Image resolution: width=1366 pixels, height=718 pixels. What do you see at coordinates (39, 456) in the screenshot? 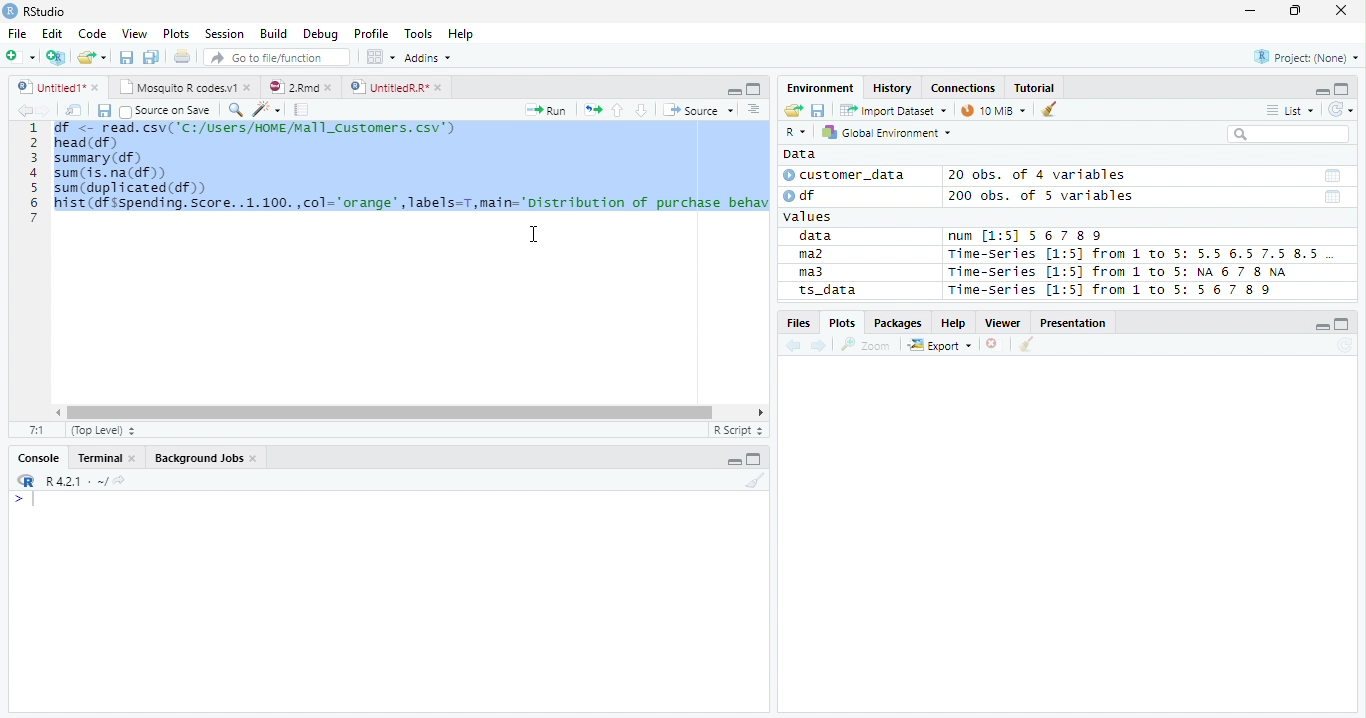
I see `Console` at bounding box center [39, 456].